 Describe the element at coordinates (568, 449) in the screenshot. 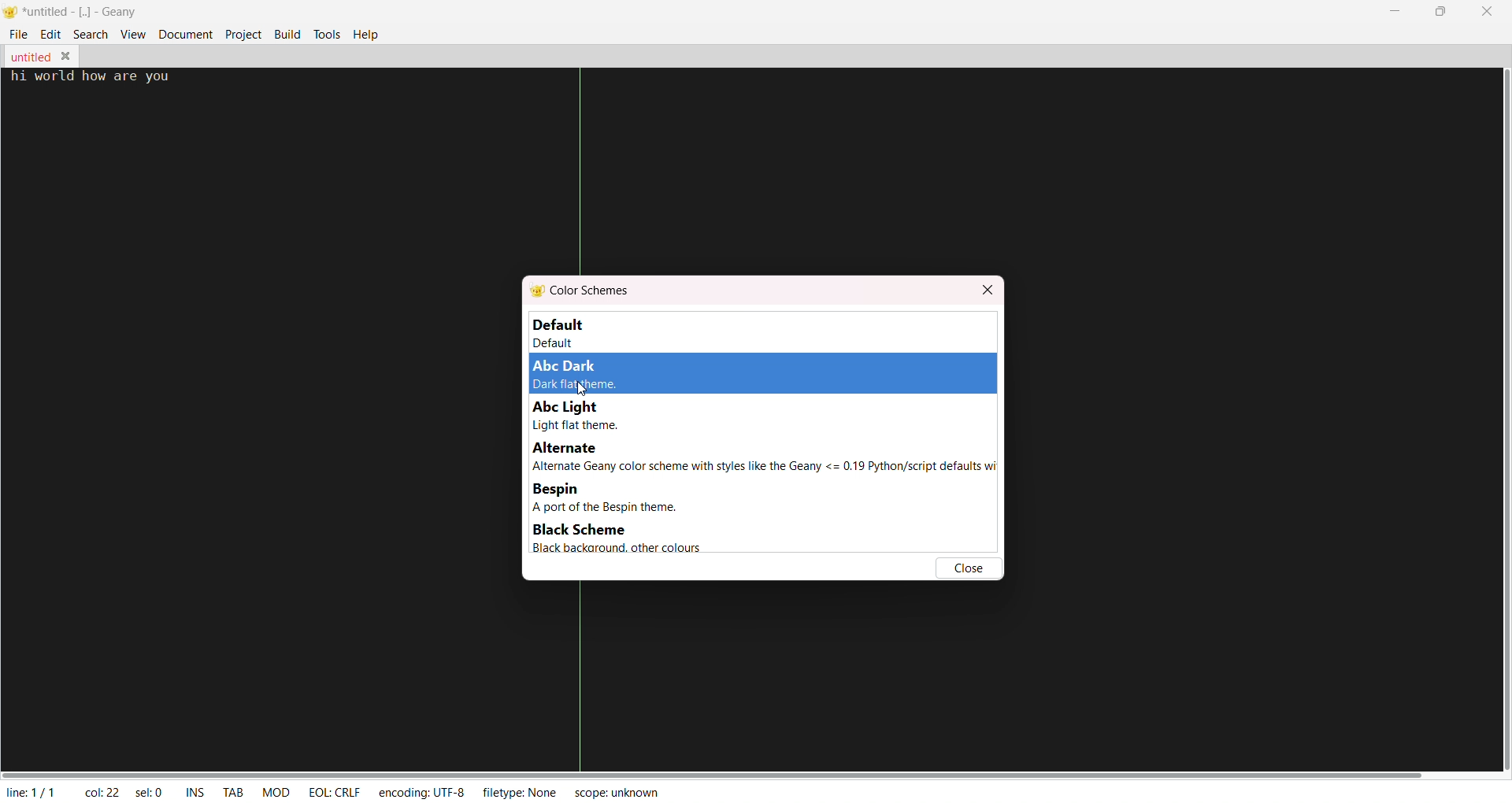

I see `alternate` at that location.